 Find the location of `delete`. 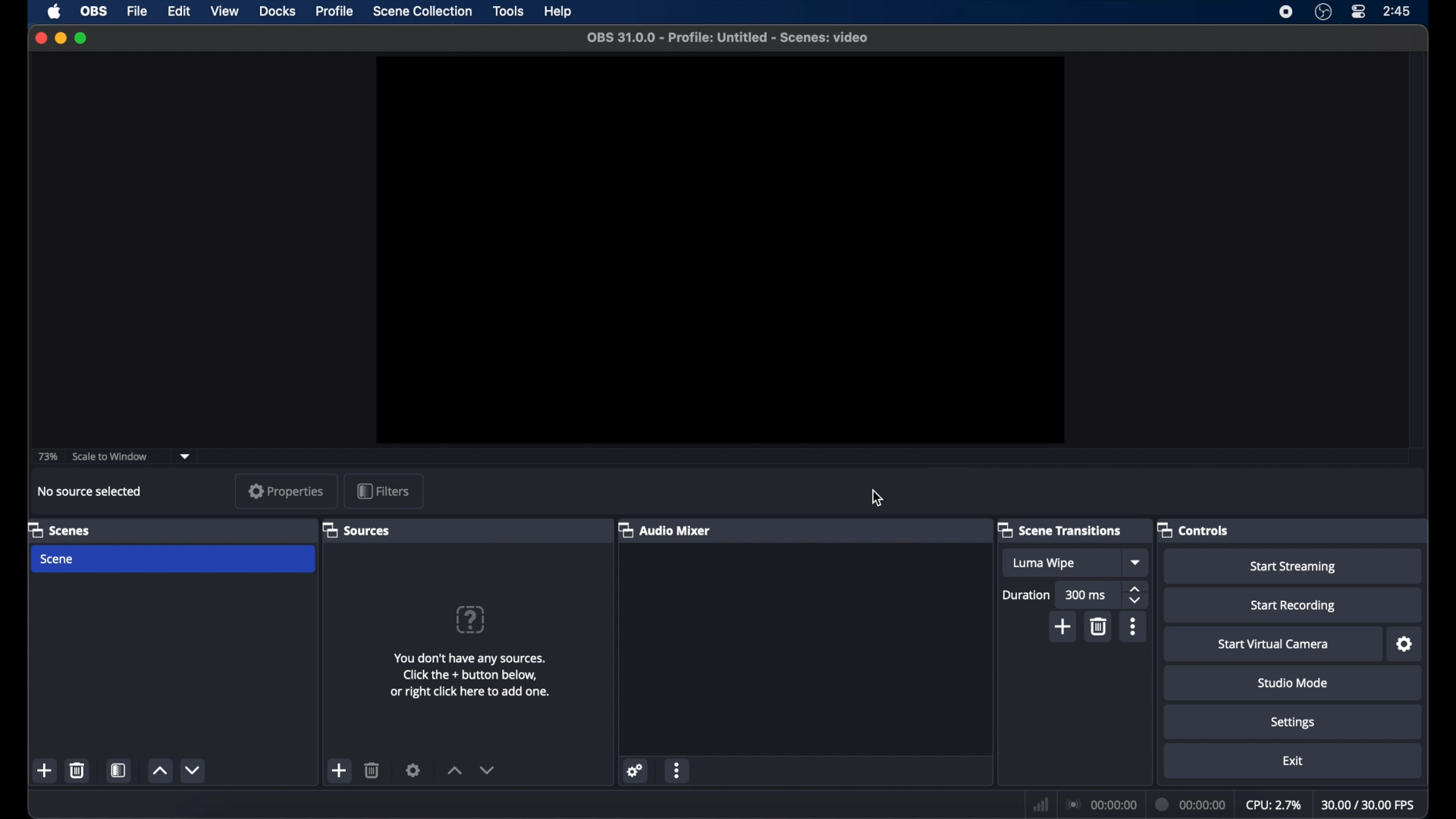

delete is located at coordinates (372, 769).